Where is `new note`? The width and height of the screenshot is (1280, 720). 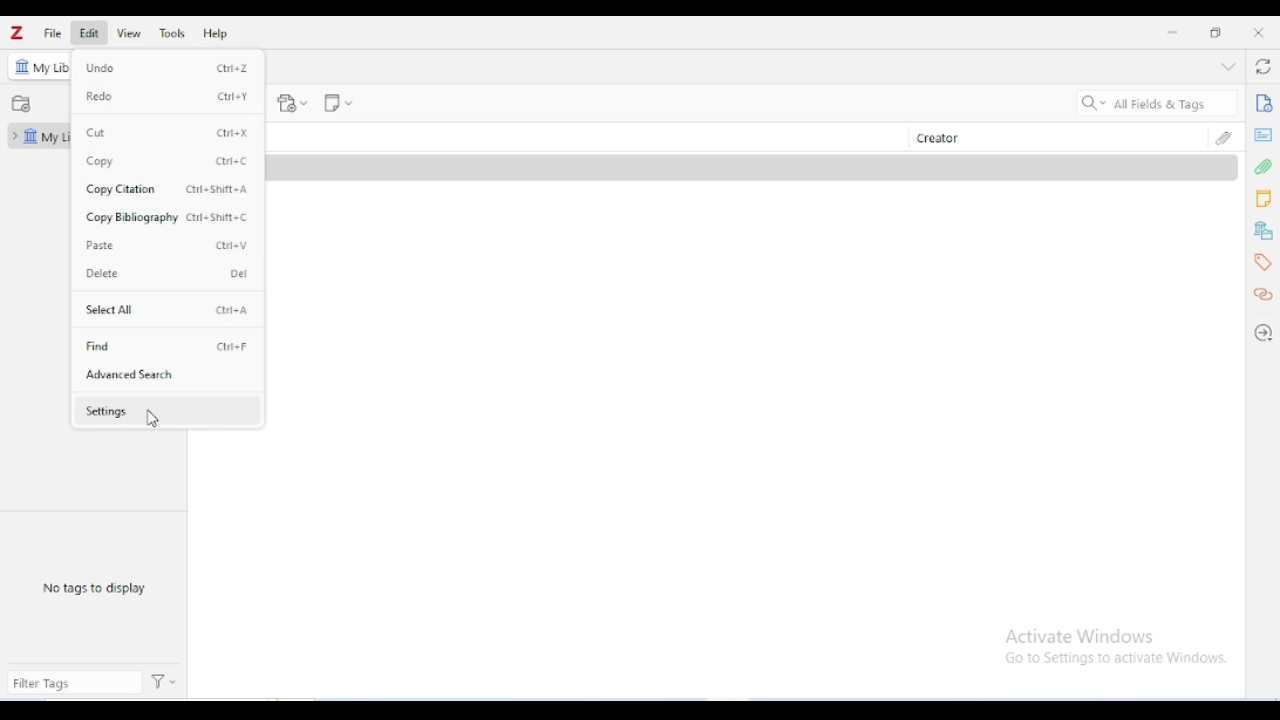 new note is located at coordinates (338, 103).